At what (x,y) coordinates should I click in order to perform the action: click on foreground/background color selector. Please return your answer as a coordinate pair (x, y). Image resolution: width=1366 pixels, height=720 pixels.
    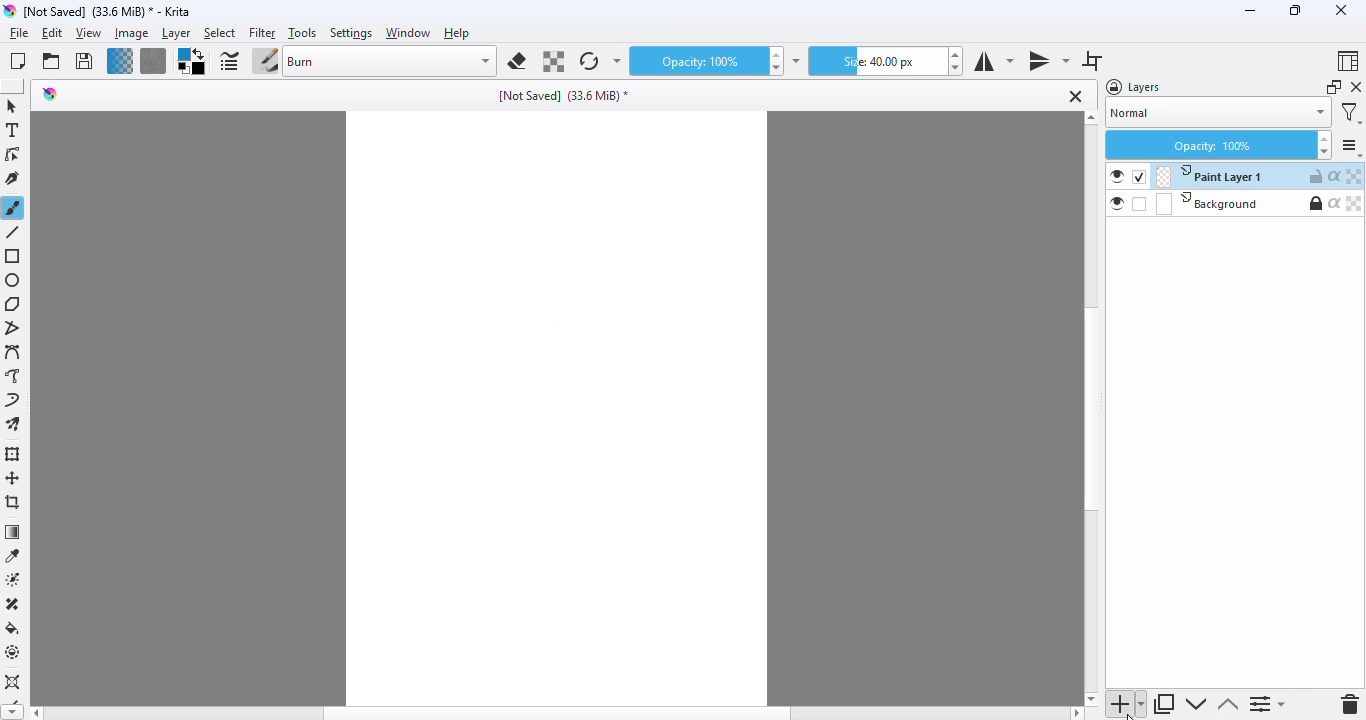
    Looking at the image, I should click on (190, 62).